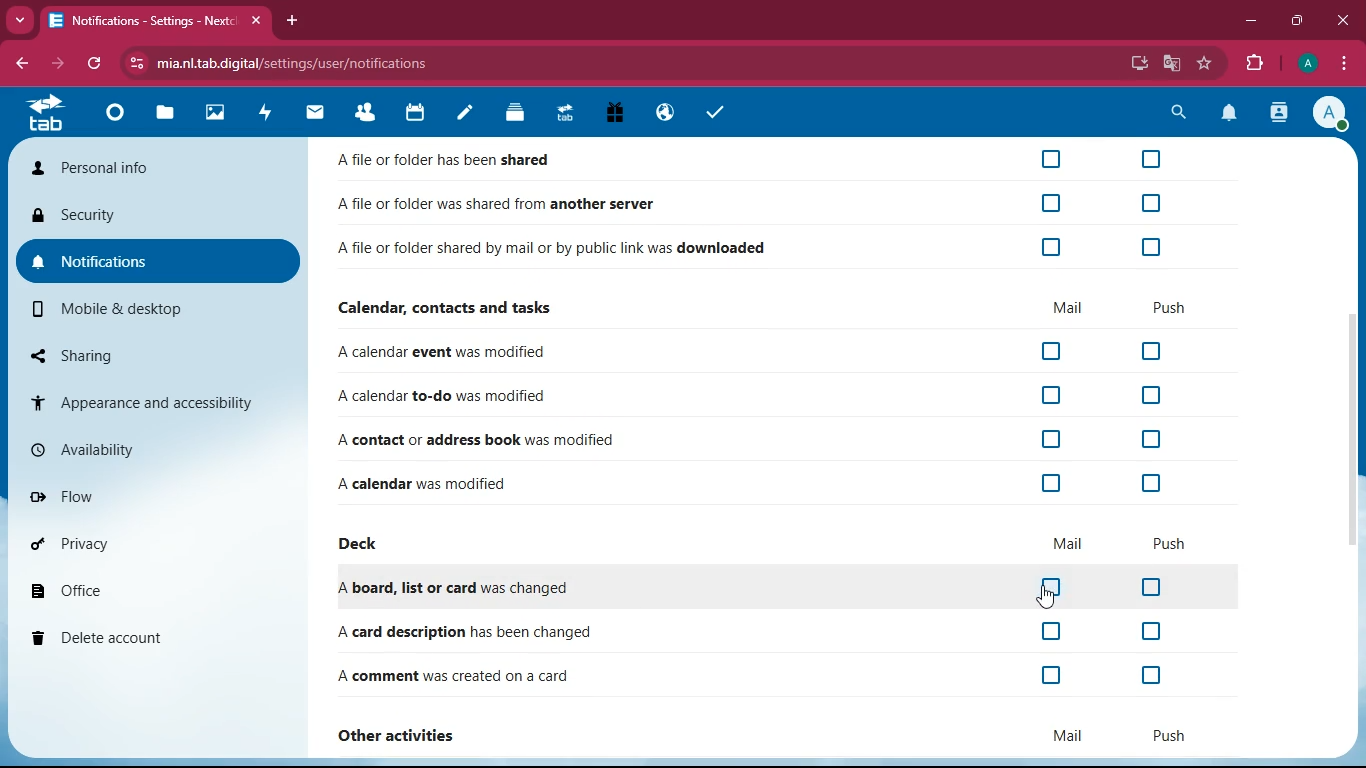 This screenshot has width=1366, height=768. Describe the element at coordinates (366, 540) in the screenshot. I see `deck` at that location.